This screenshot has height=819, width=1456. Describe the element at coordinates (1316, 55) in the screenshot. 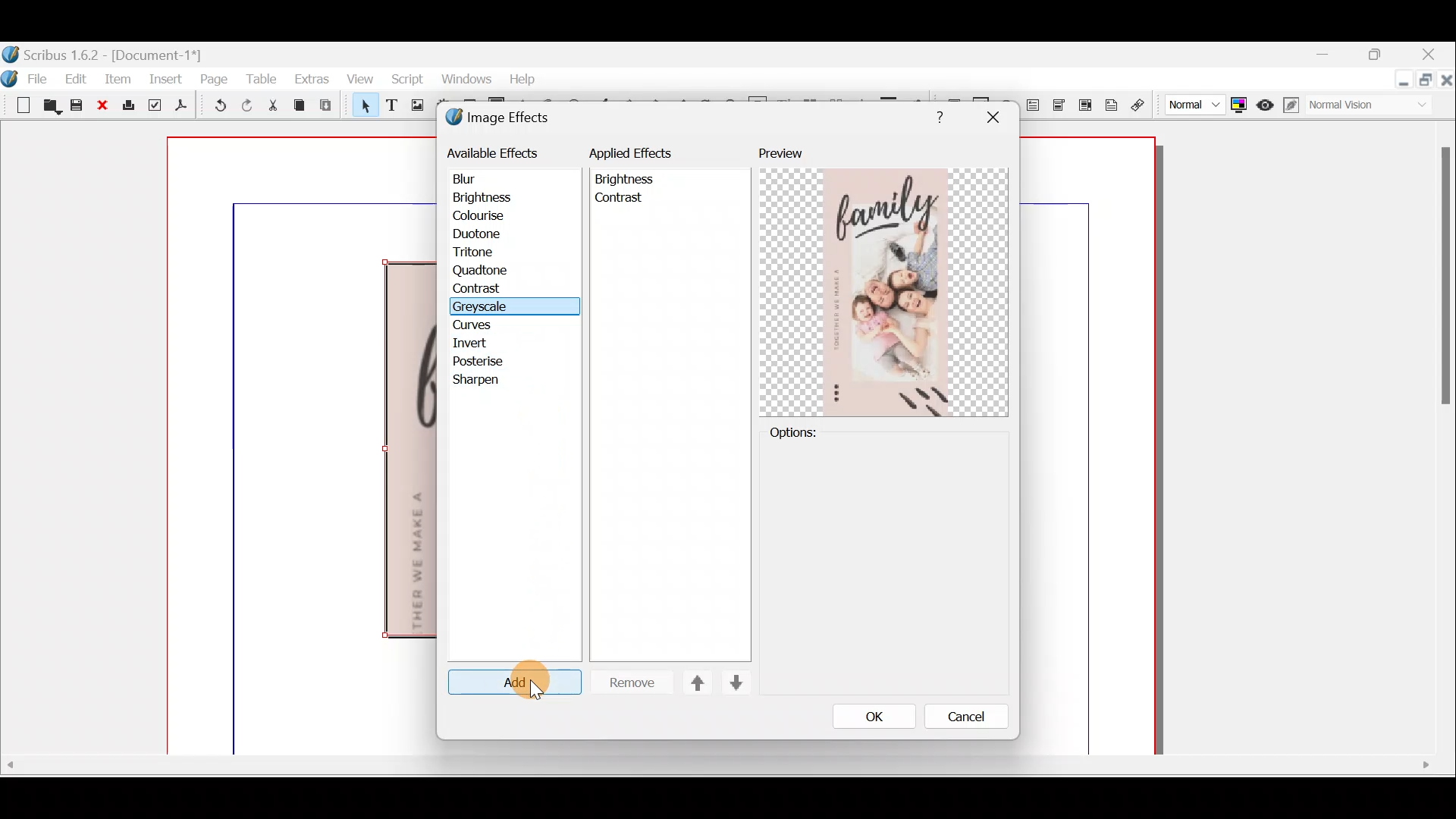

I see `Minimise` at that location.